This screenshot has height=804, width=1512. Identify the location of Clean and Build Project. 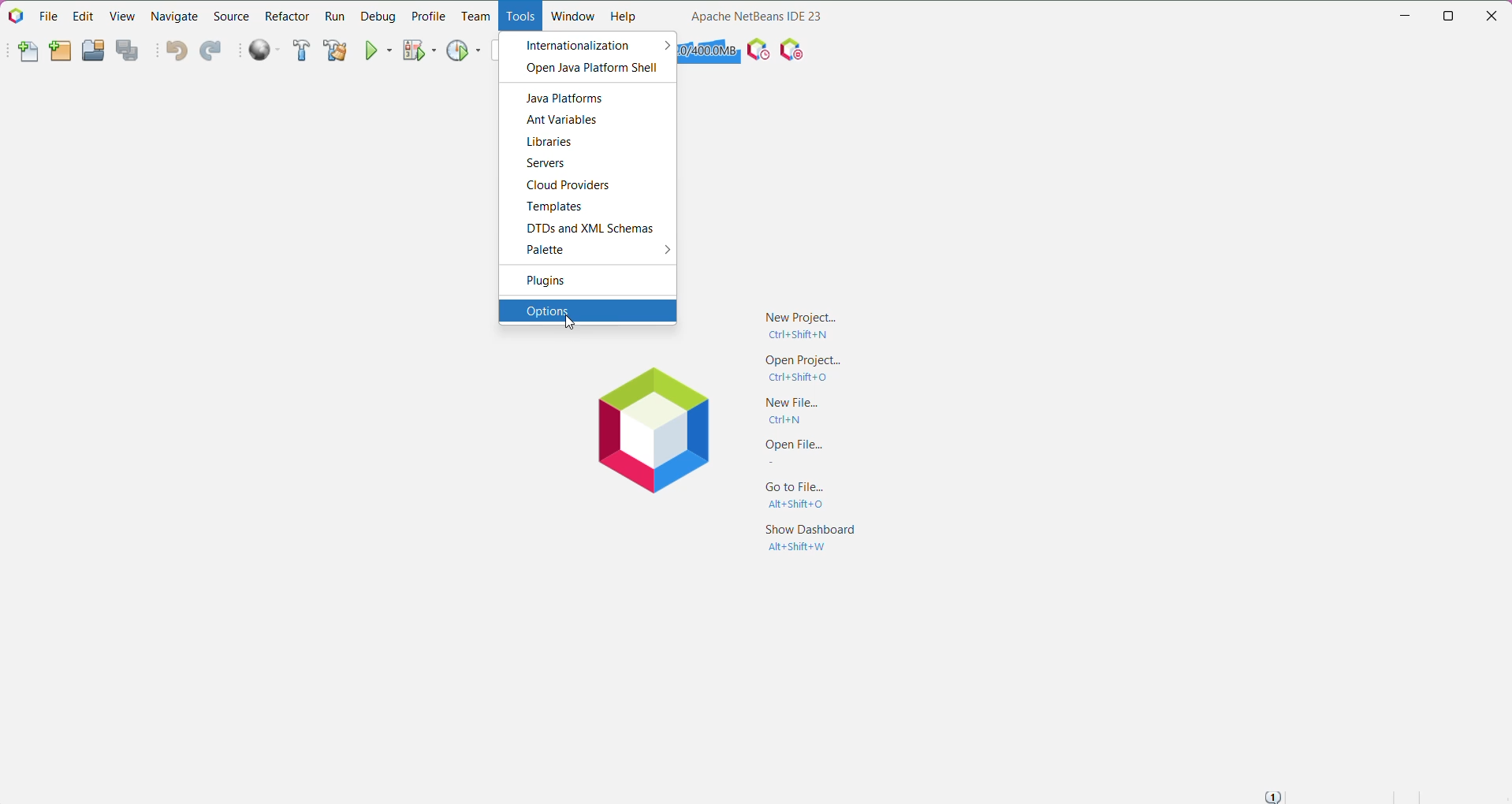
(334, 51).